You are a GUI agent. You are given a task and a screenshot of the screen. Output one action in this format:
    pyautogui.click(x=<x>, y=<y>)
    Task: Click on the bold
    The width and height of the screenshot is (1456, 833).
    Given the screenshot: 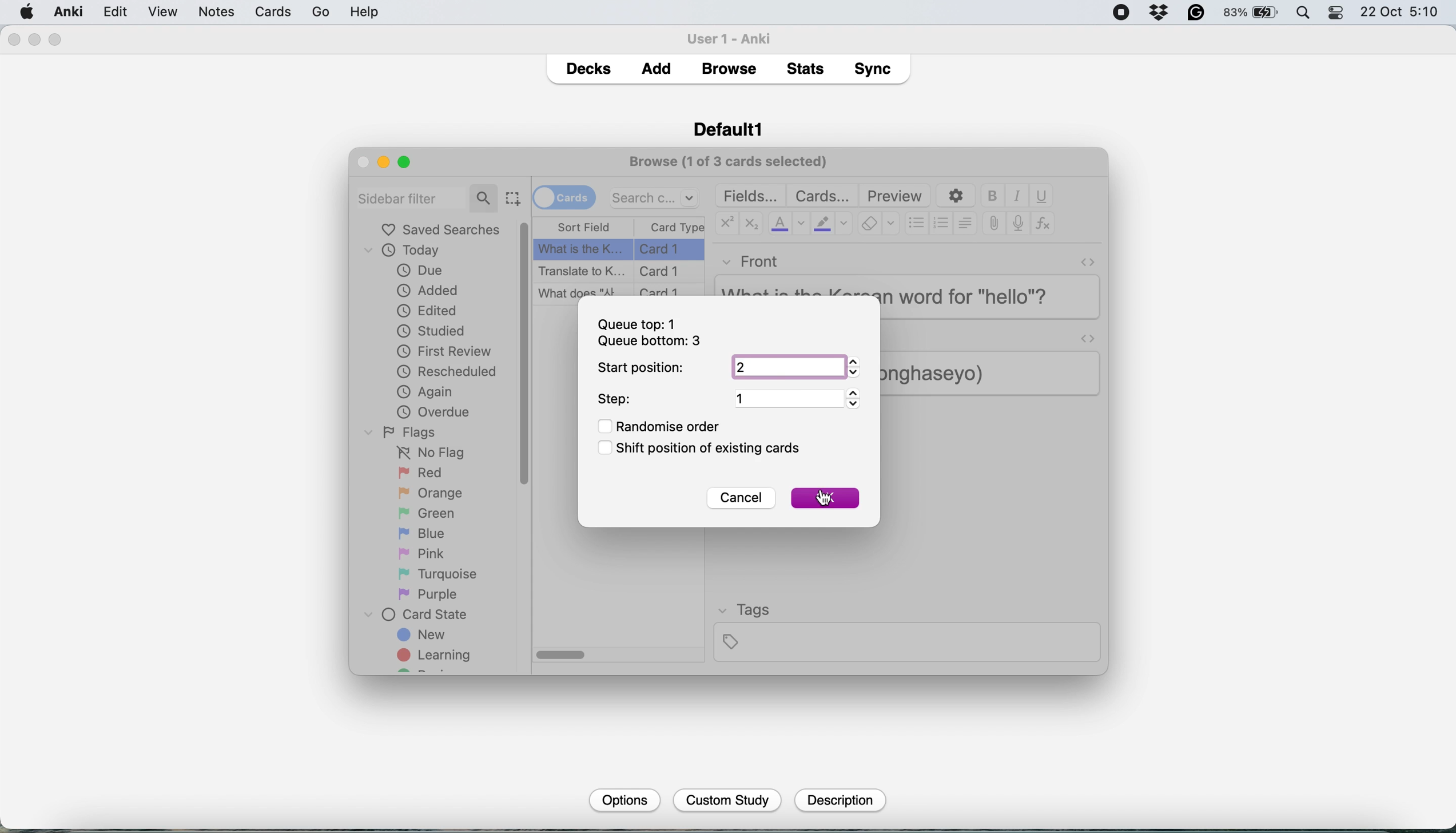 What is the action you would take?
    pyautogui.click(x=995, y=196)
    